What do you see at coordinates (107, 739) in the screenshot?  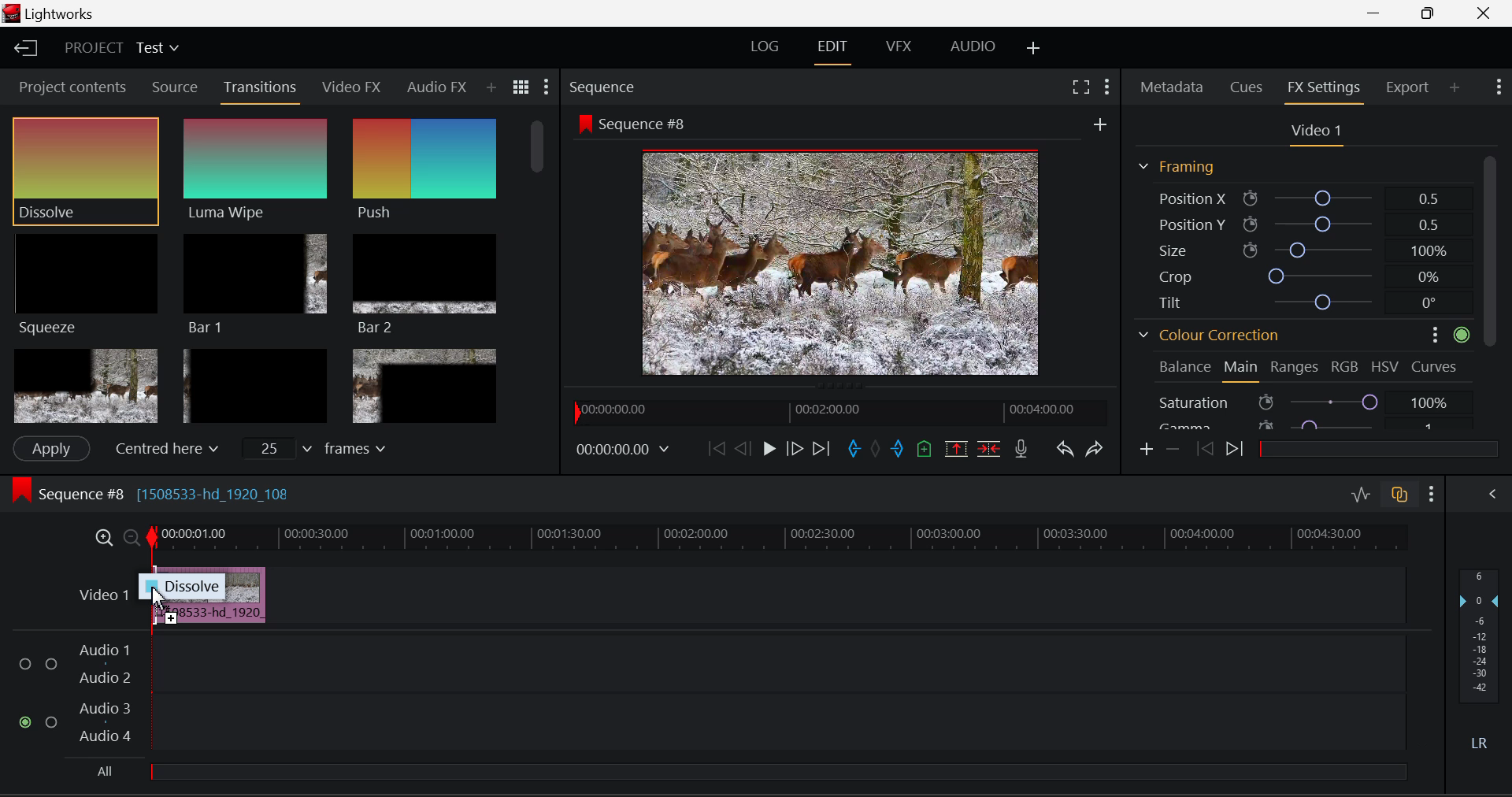 I see `Audio 4` at bounding box center [107, 739].